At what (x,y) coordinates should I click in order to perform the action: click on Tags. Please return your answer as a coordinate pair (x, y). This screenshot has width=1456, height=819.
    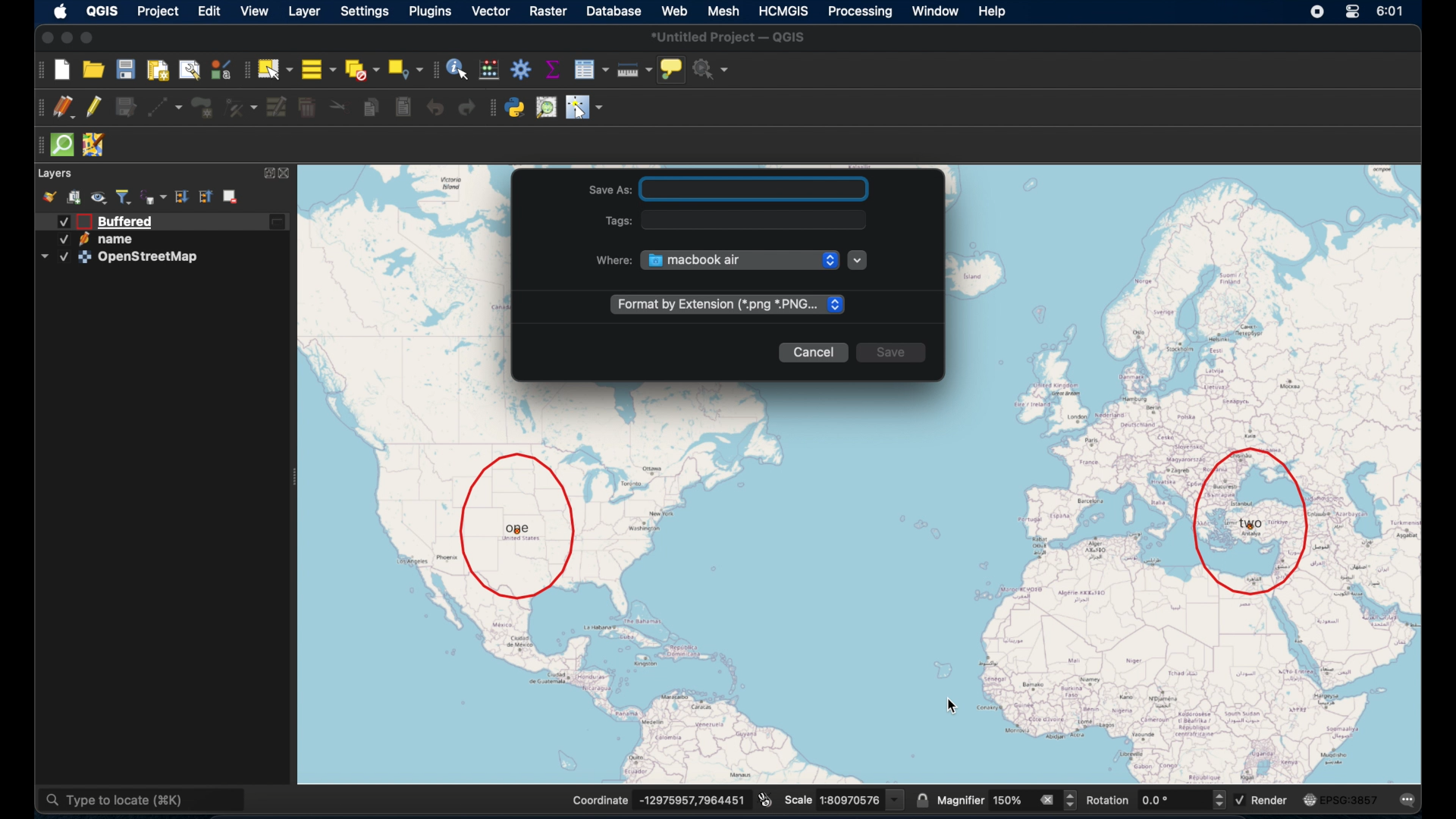
    Looking at the image, I should click on (620, 221).